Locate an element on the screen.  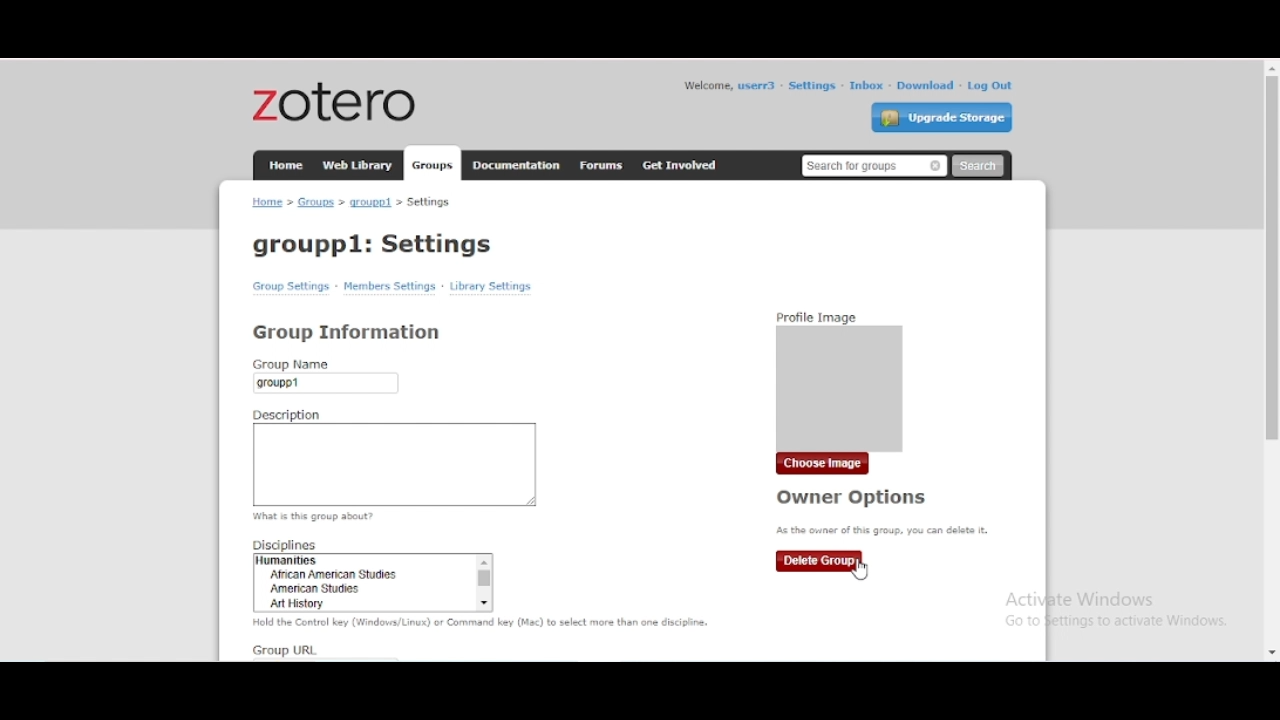
search is located at coordinates (978, 166).